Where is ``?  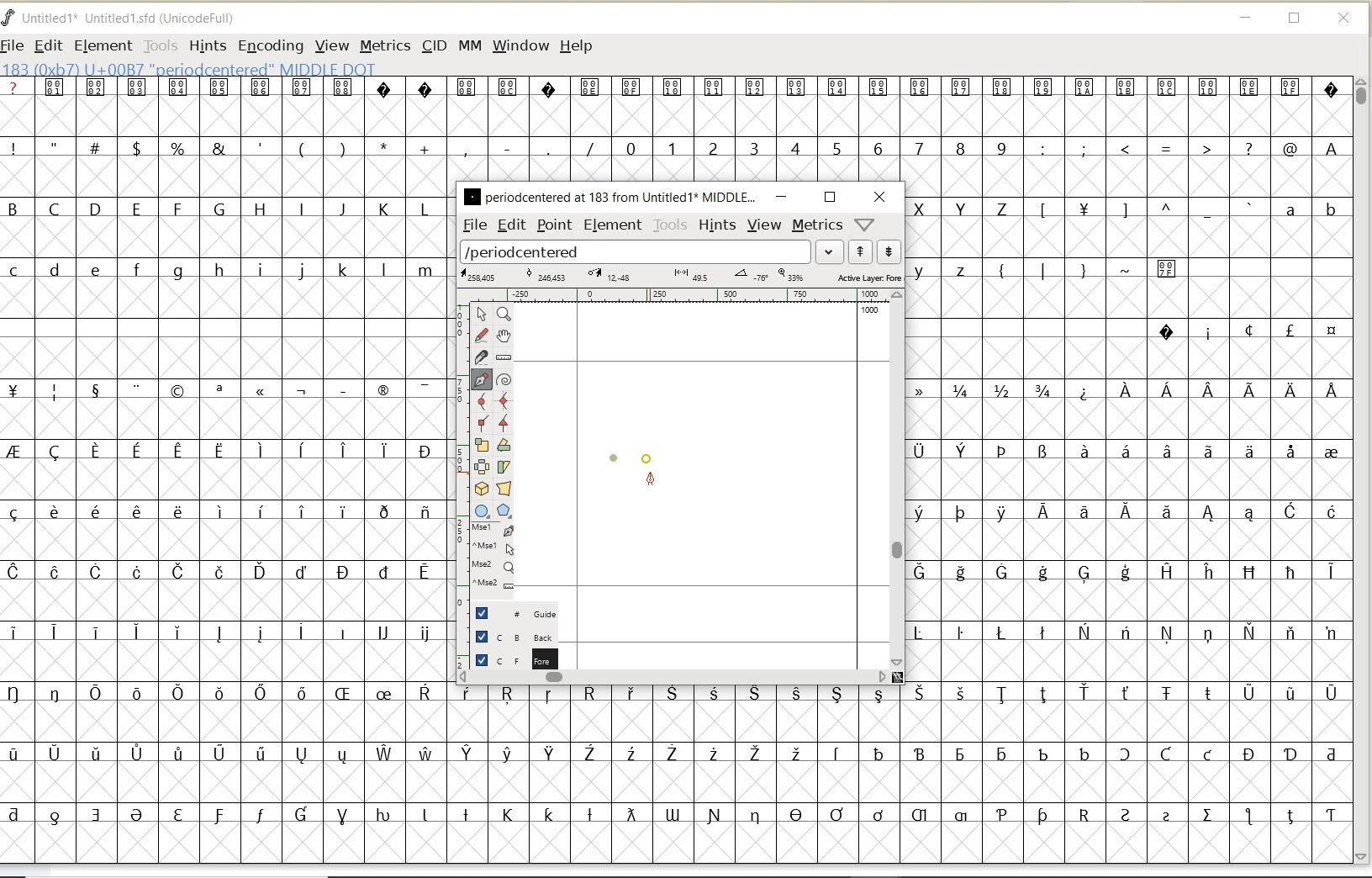
 is located at coordinates (1143, 211).